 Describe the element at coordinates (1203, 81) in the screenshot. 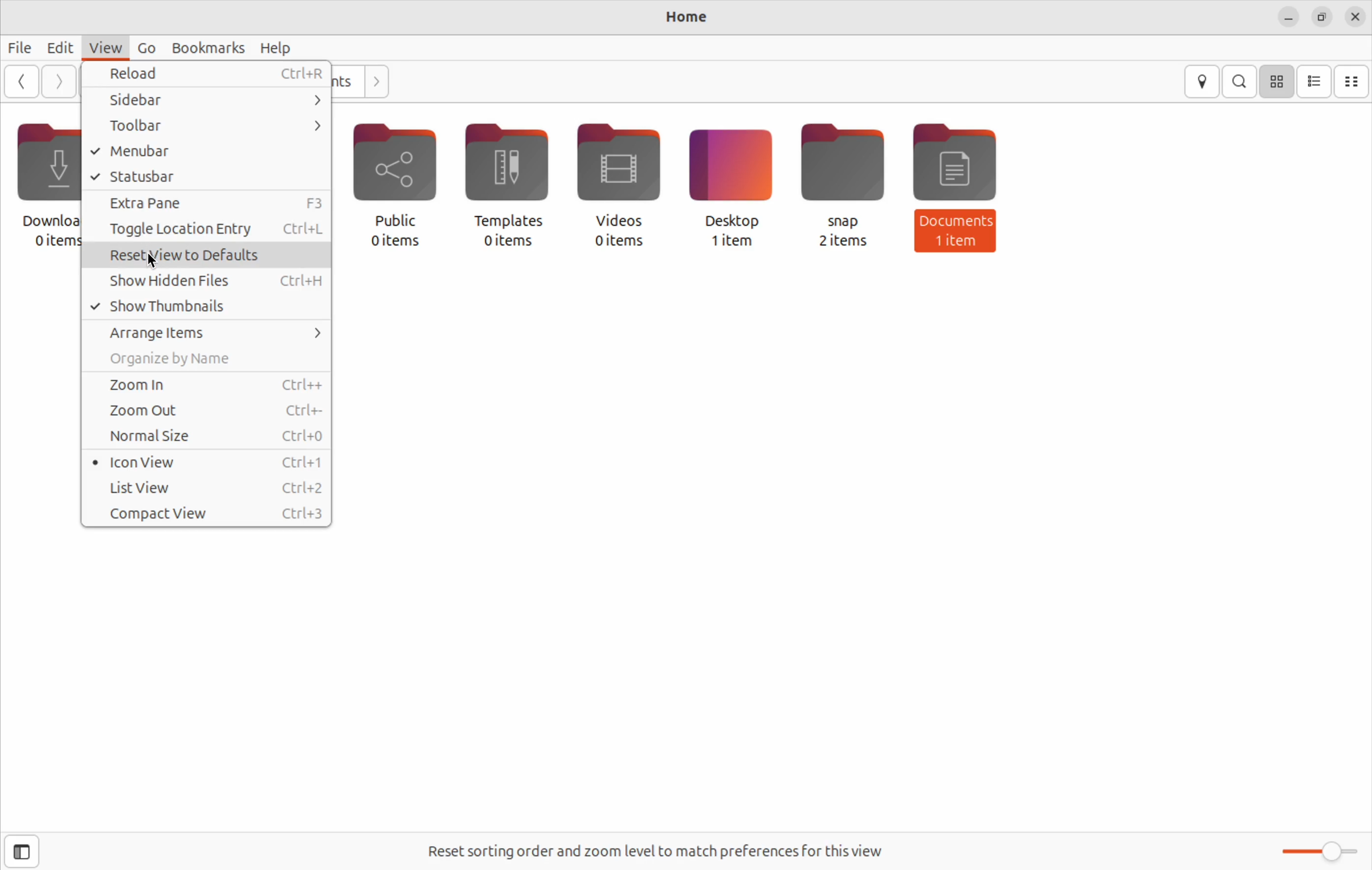

I see `location` at that location.